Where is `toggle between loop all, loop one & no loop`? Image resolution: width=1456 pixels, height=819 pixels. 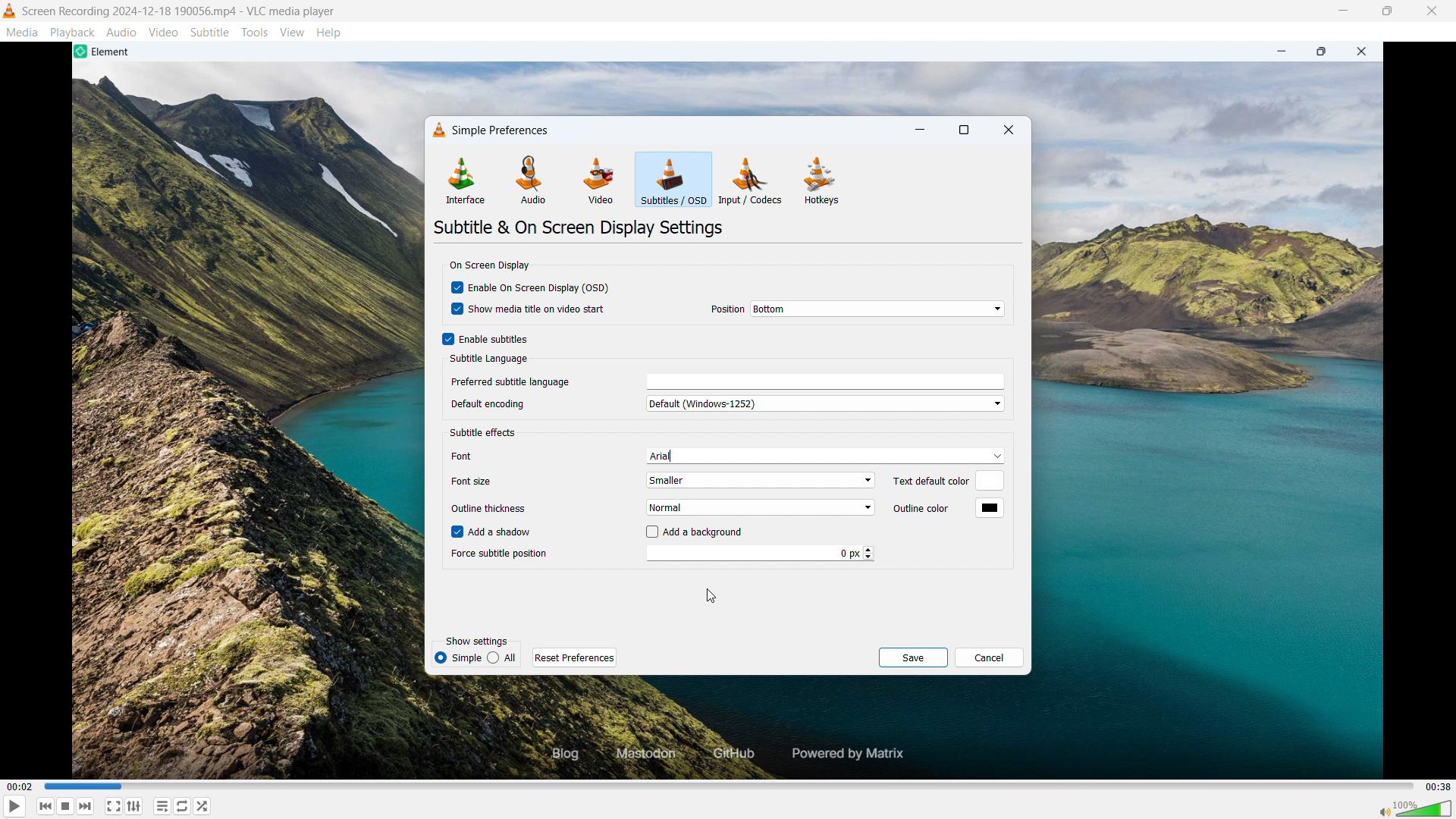
toggle between loop all, loop one & no loop is located at coordinates (182, 806).